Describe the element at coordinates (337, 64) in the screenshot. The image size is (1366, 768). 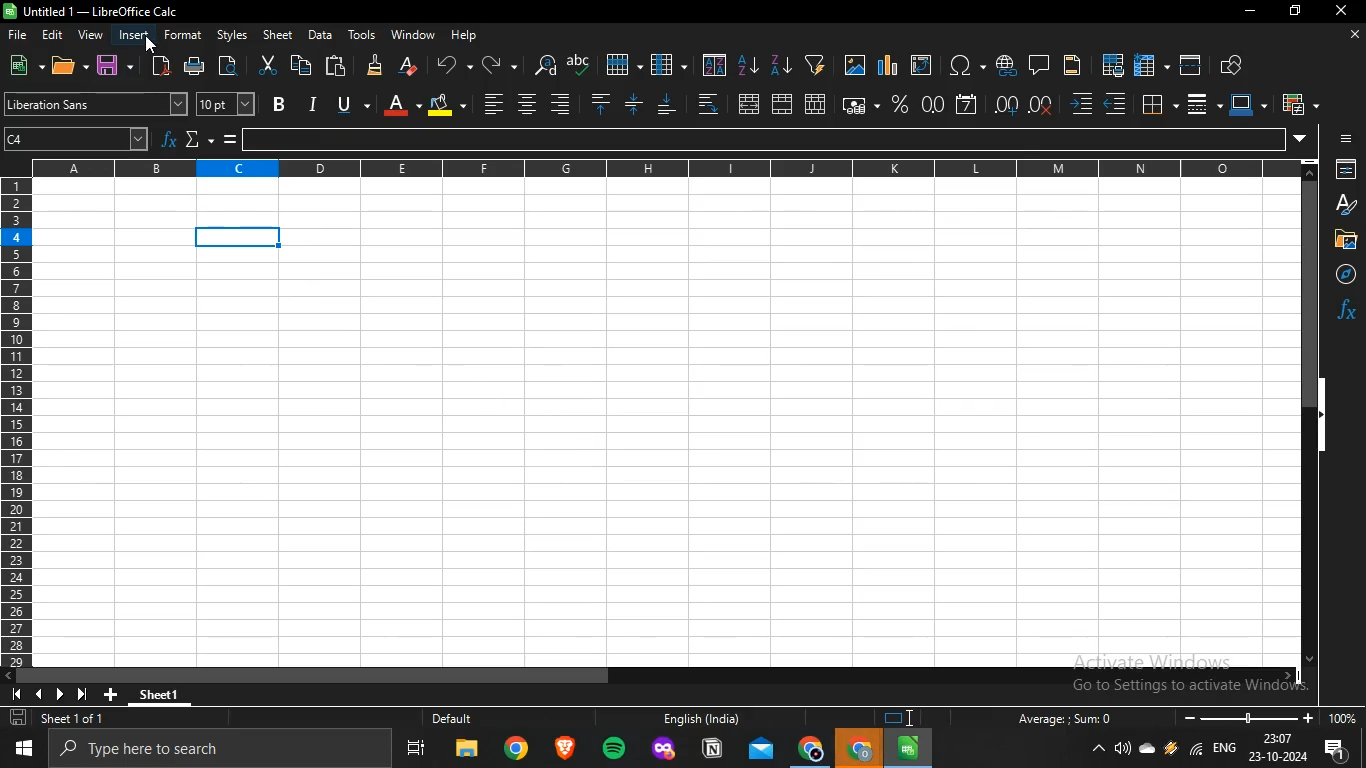
I see `paste` at that location.